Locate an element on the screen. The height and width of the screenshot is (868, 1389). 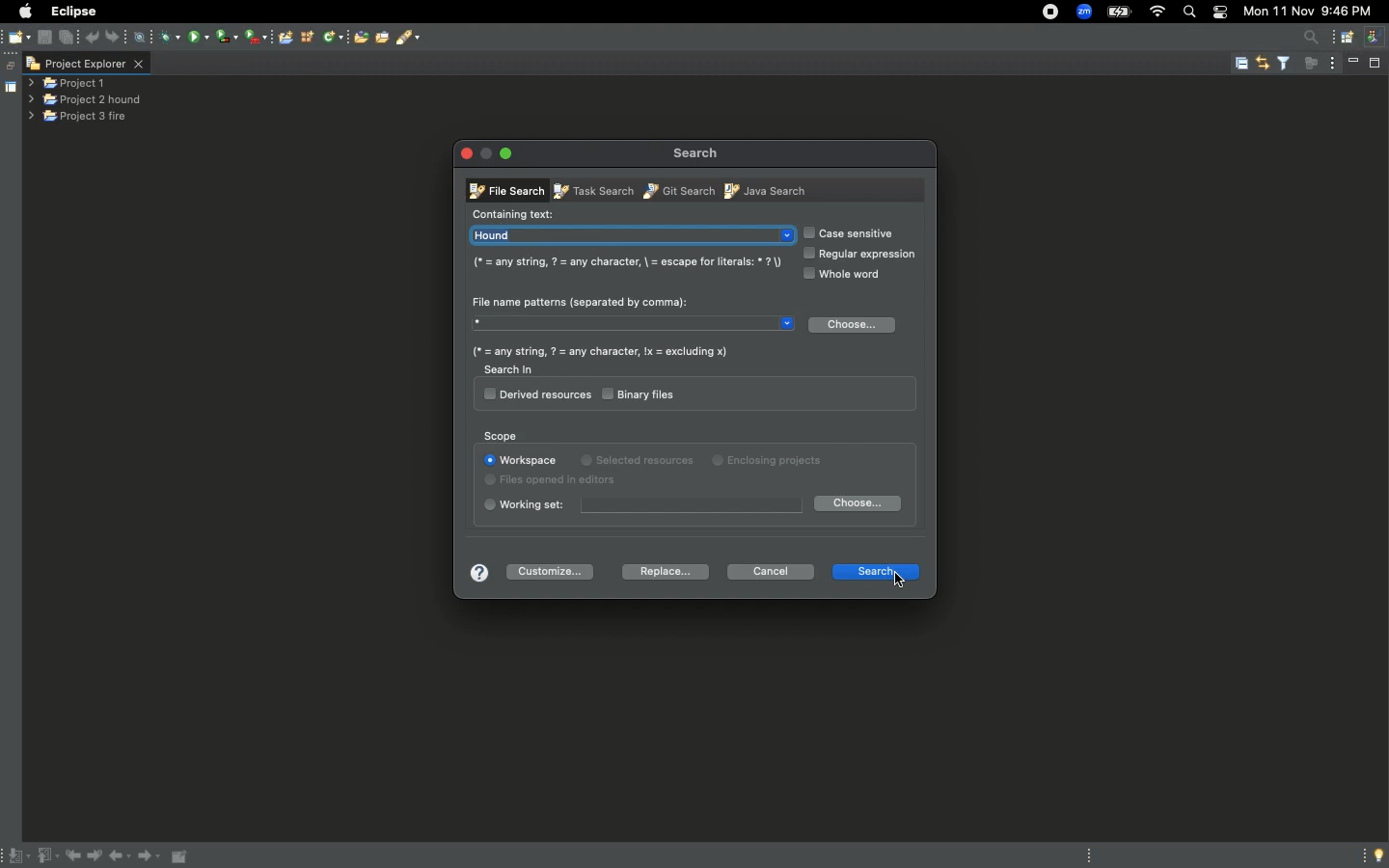
Pin editor is located at coordinates (181, 856).